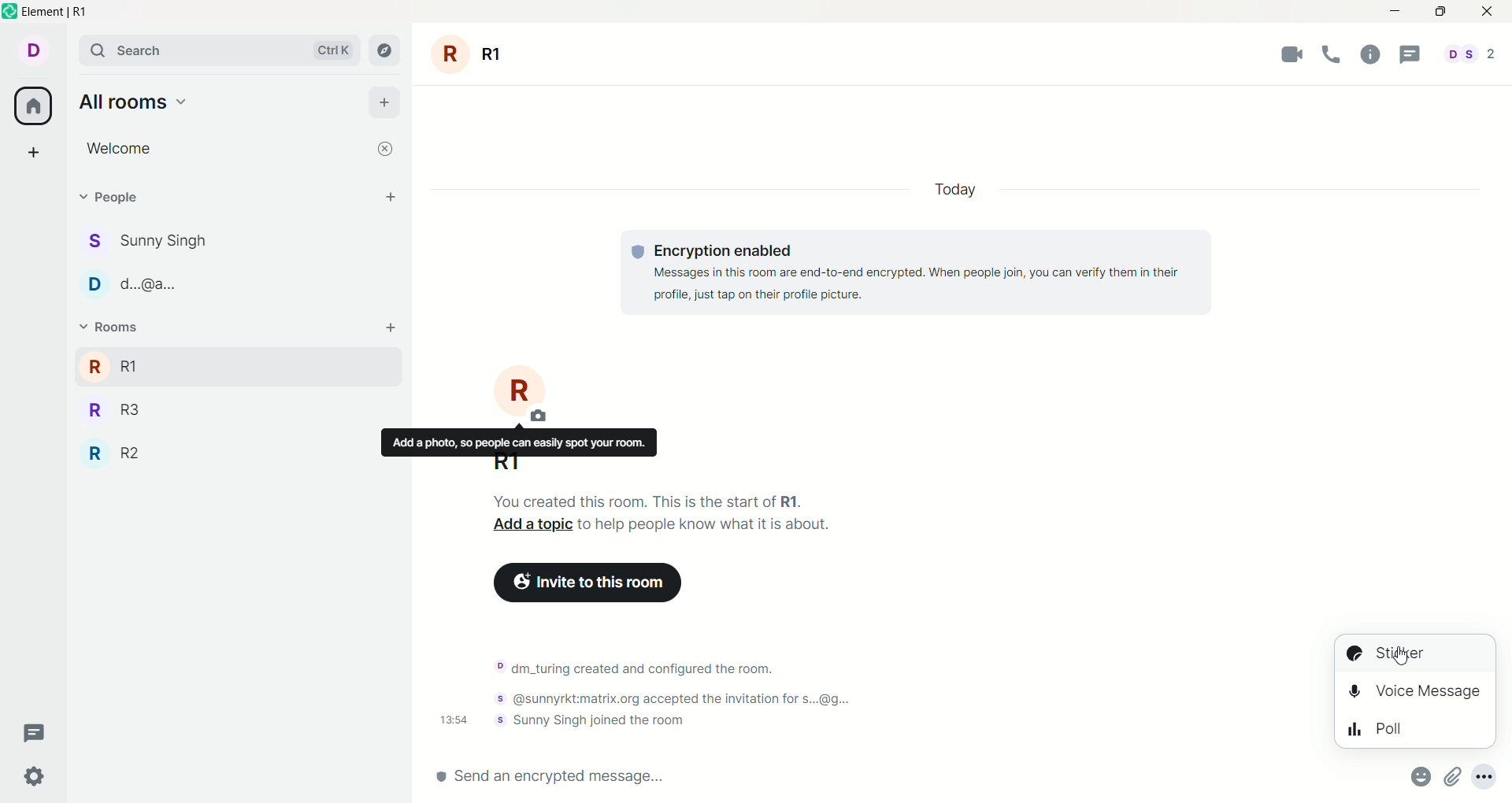 This screenshot has height=803, width=1512. Describe the element at coordinates (454, 720) in the screenshot. I see `Time notification was sent` at that location.